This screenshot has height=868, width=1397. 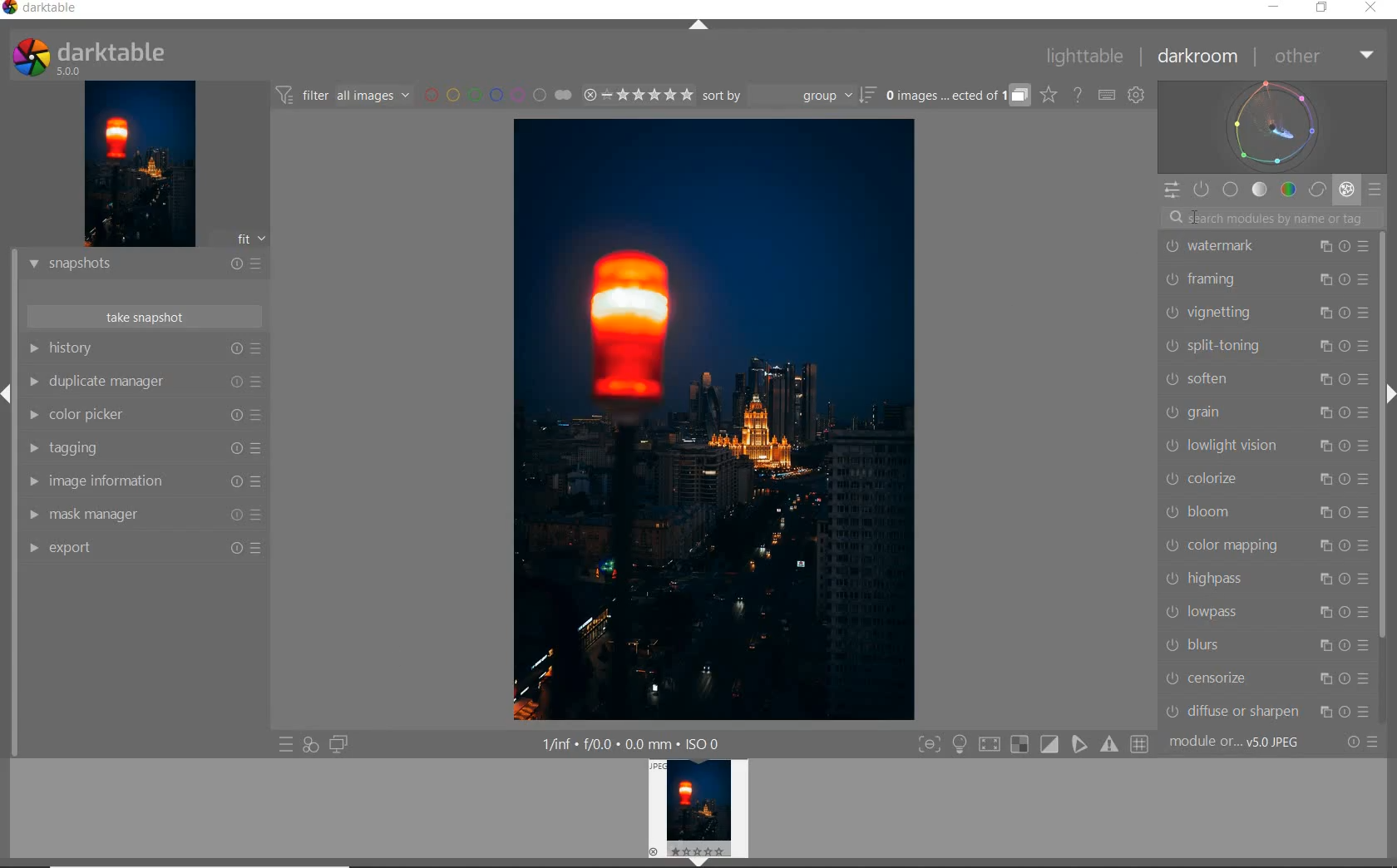 I want to click on SHOW ONLY ACTIVE MODULES, so click(x=1202, y=189).